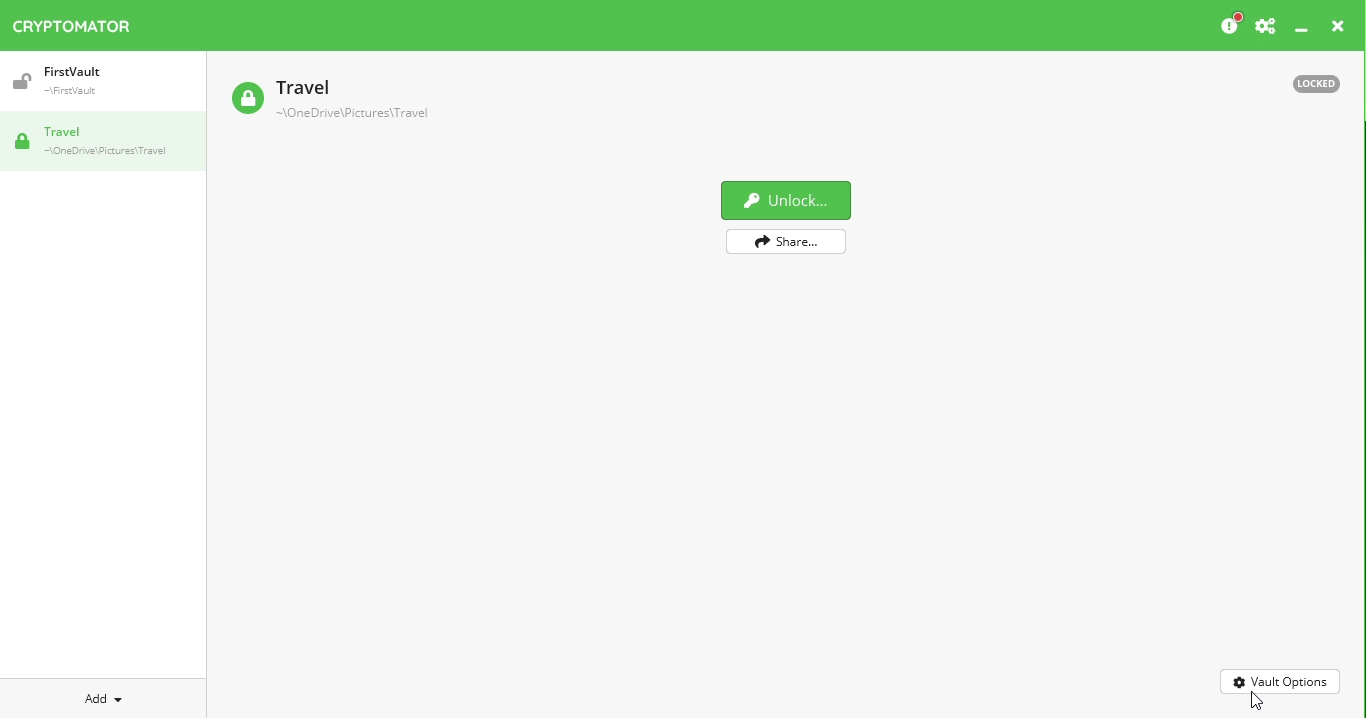 This screenshot has height=718, width=1366. Describe the element at coordinates (1303, 30) in the screenshot. I see `Minimize` at that location.